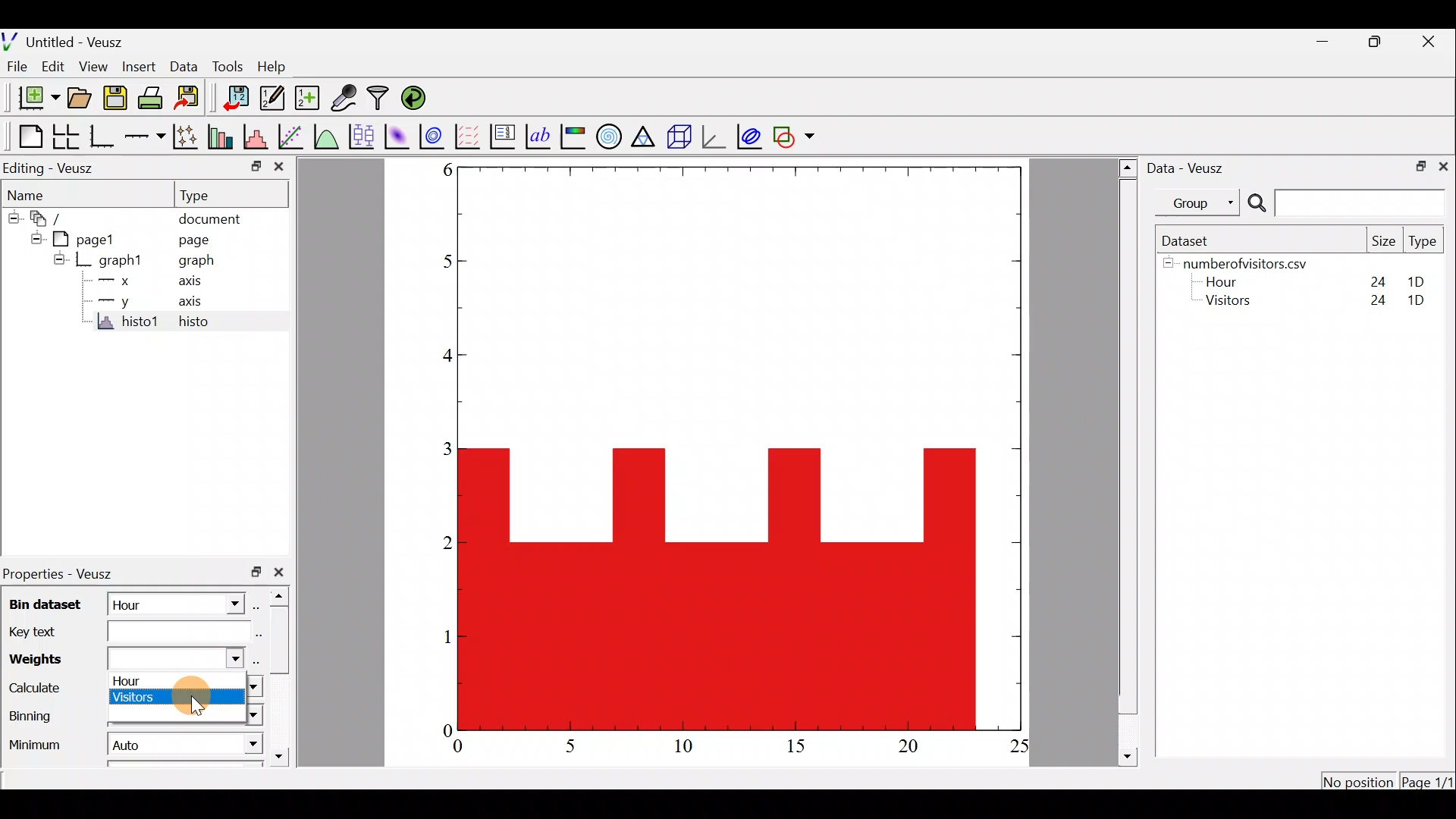 The width and height of the screenshot is (1456, 819). I want to click on Minimum, so click(32, 748).